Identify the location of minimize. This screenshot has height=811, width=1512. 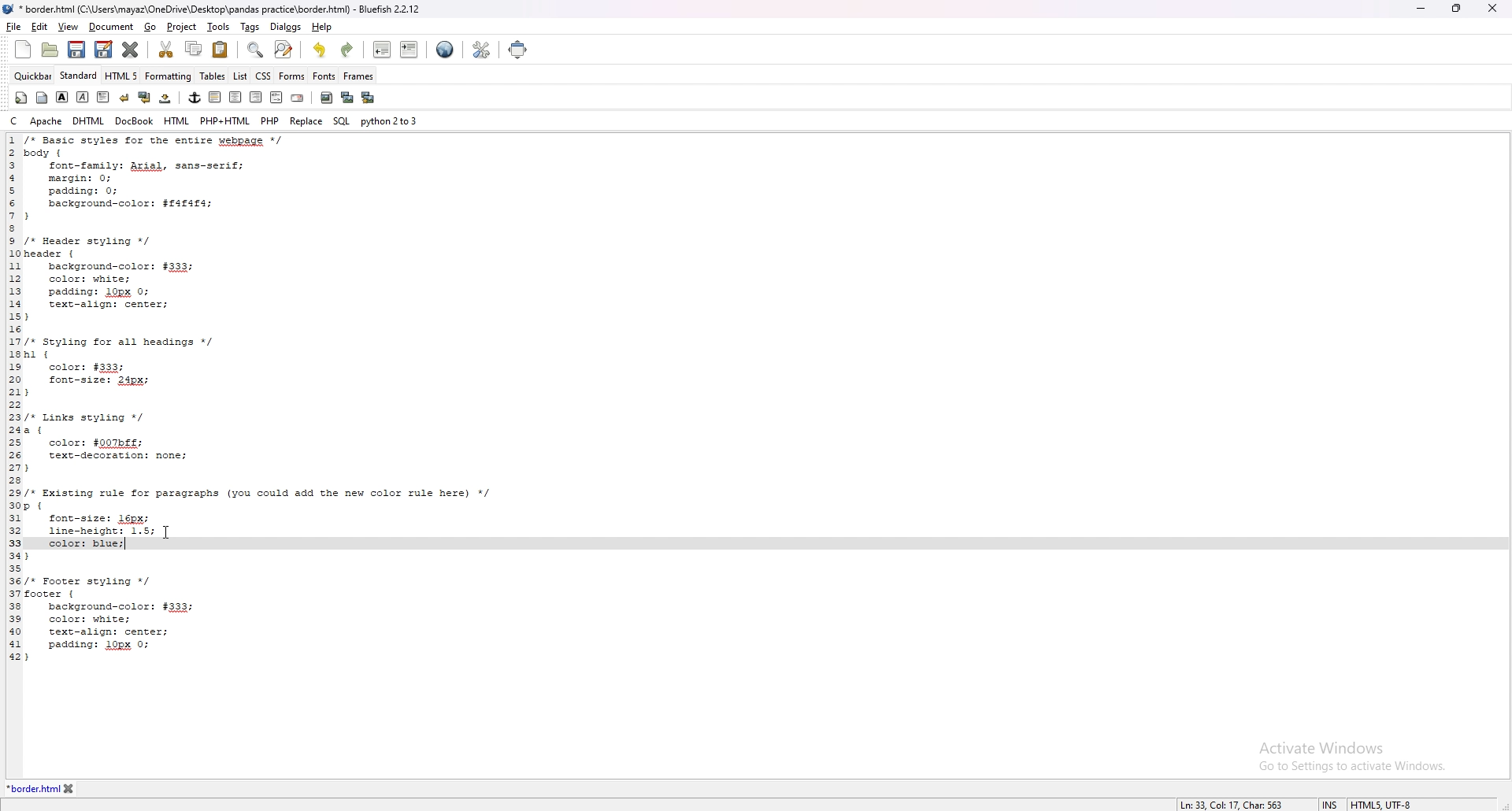
(1422, 8).